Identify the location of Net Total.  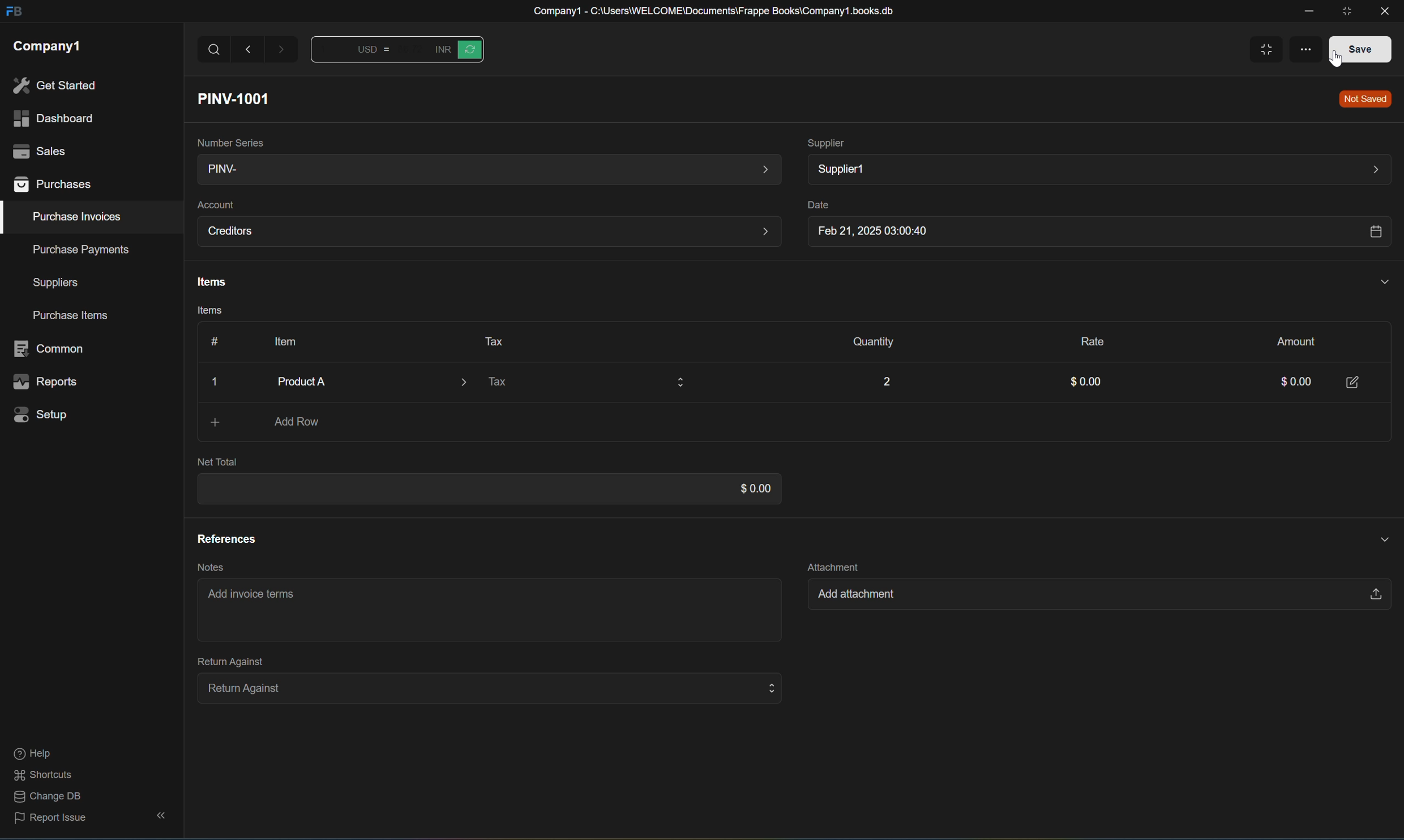
(217, 462).